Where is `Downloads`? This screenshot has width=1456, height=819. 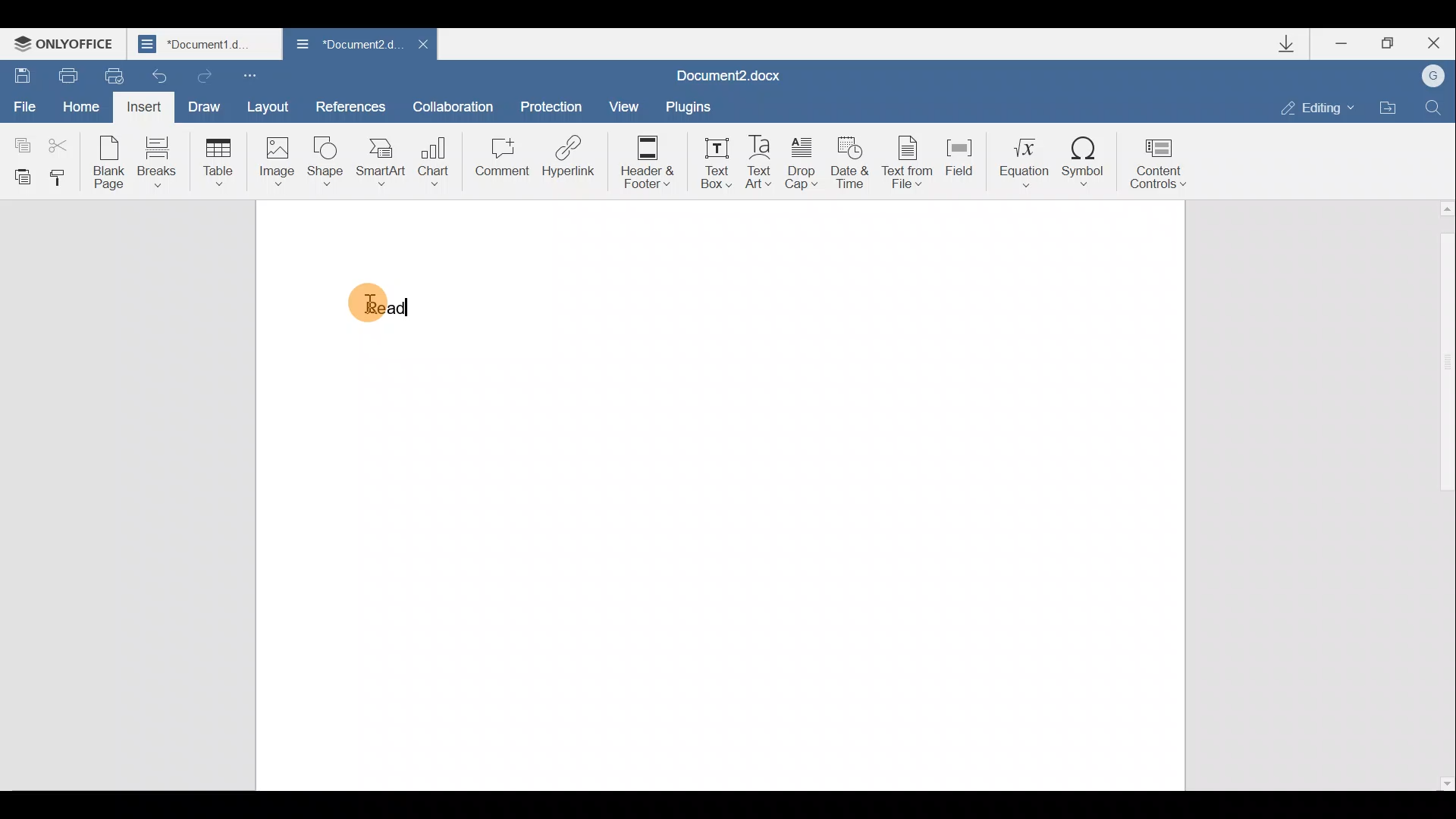
Downloads is located at coordinates (1295, 47).